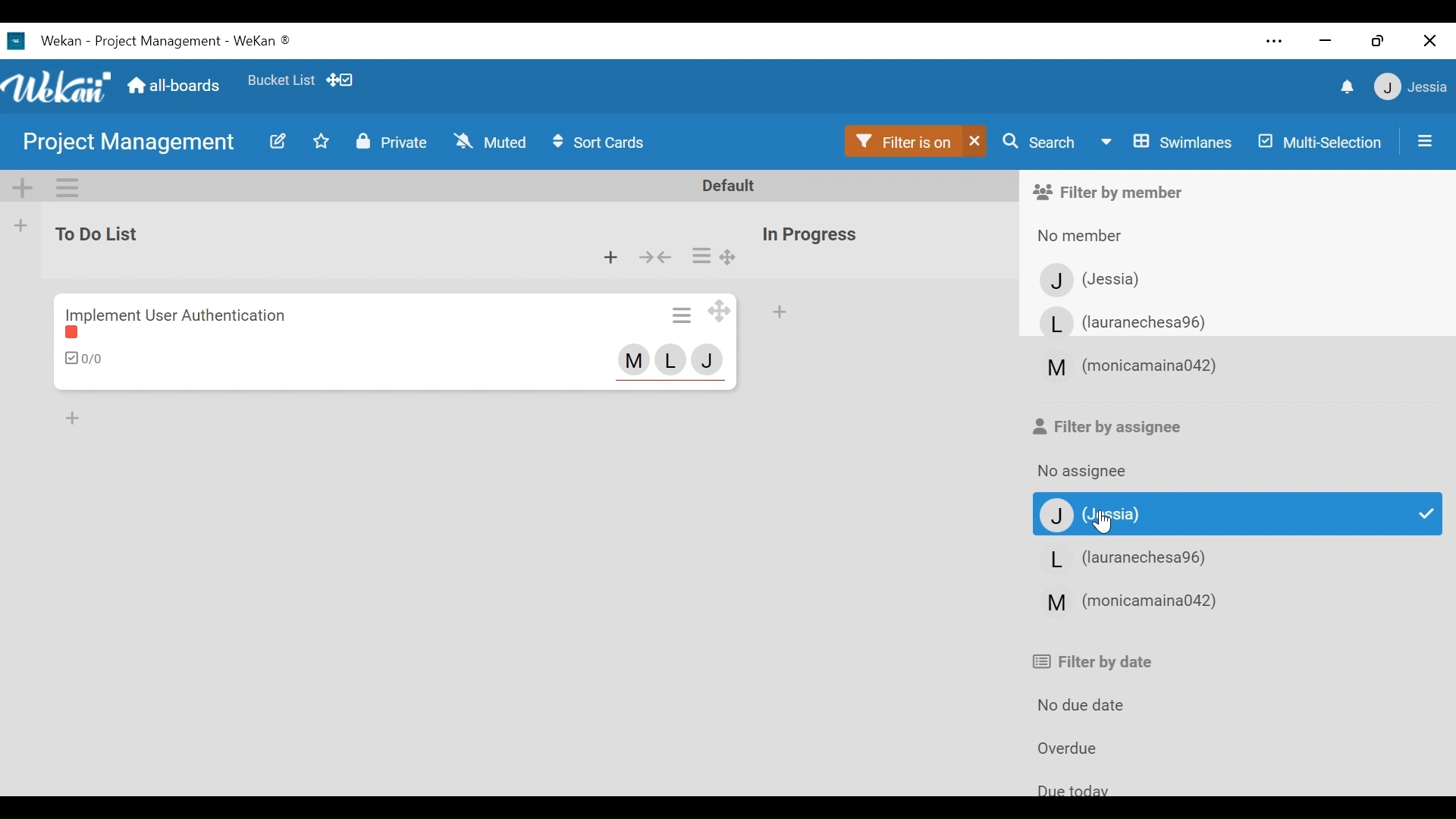 The image size is (1456, 819). What do you see at coordinates (14, 40) in the screenshot?
I see `wekan icon` at bounding box center [14, 40].